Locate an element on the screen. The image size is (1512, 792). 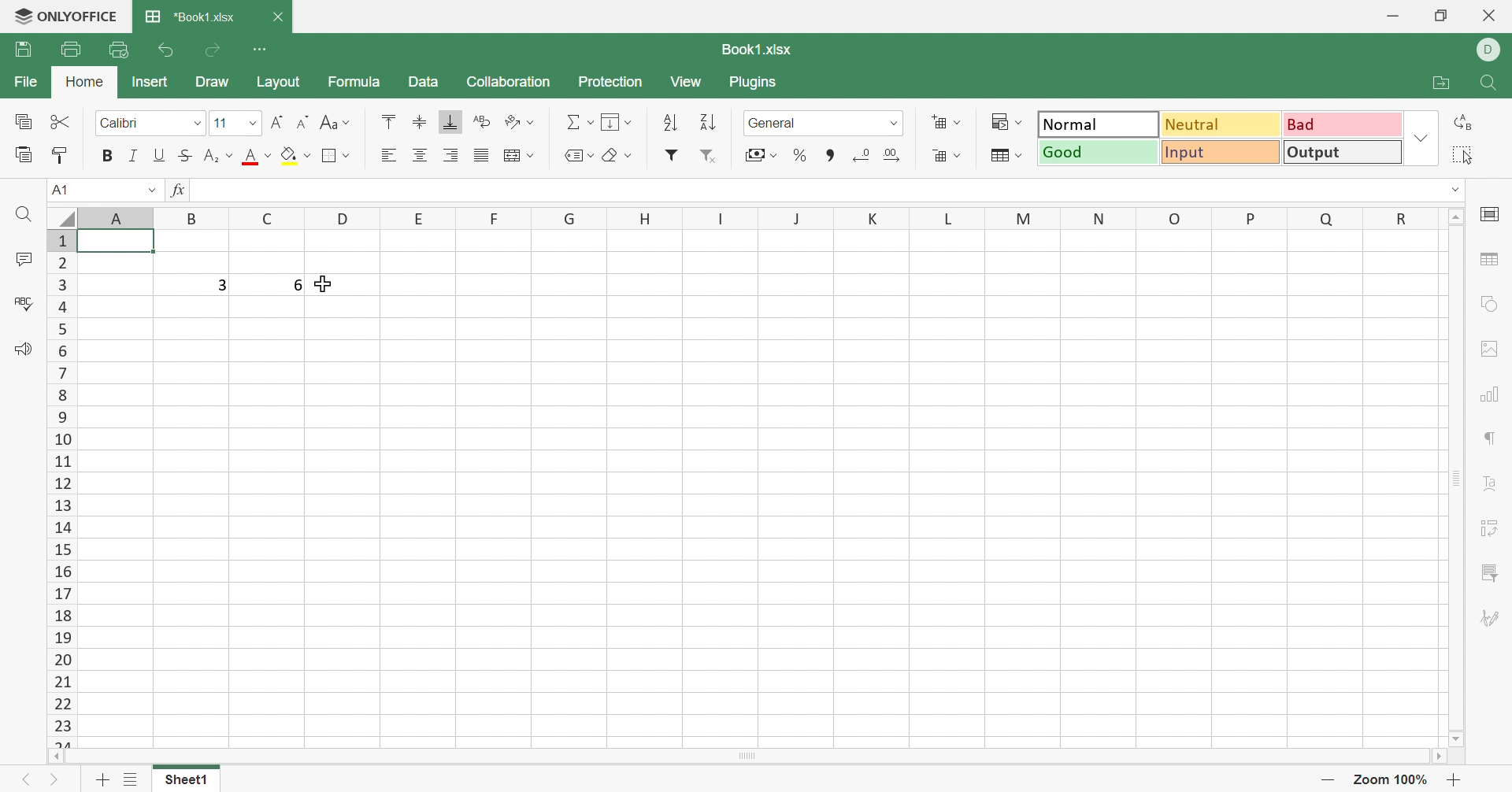
Shape settings is located at coordinates (1491, 305).